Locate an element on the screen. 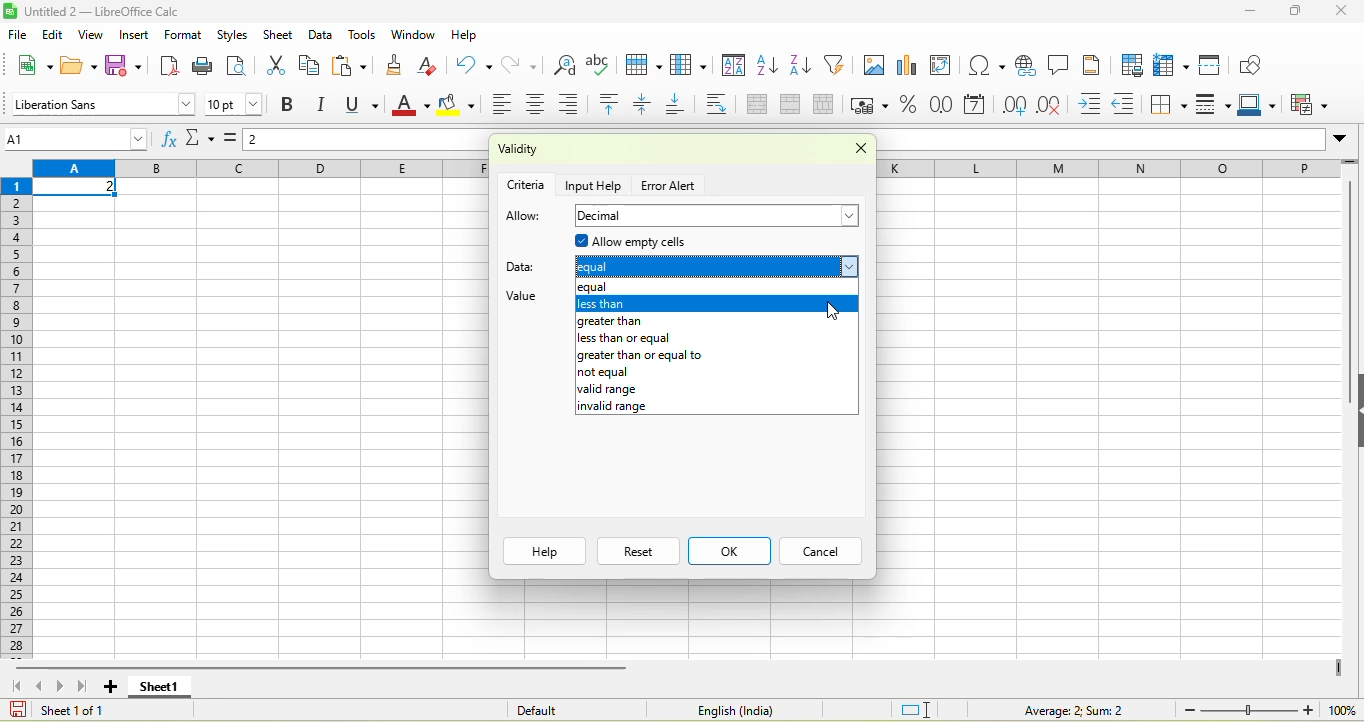 The width and height of the screenshot is (1364, 722). data is located at coordinates (321, 34).